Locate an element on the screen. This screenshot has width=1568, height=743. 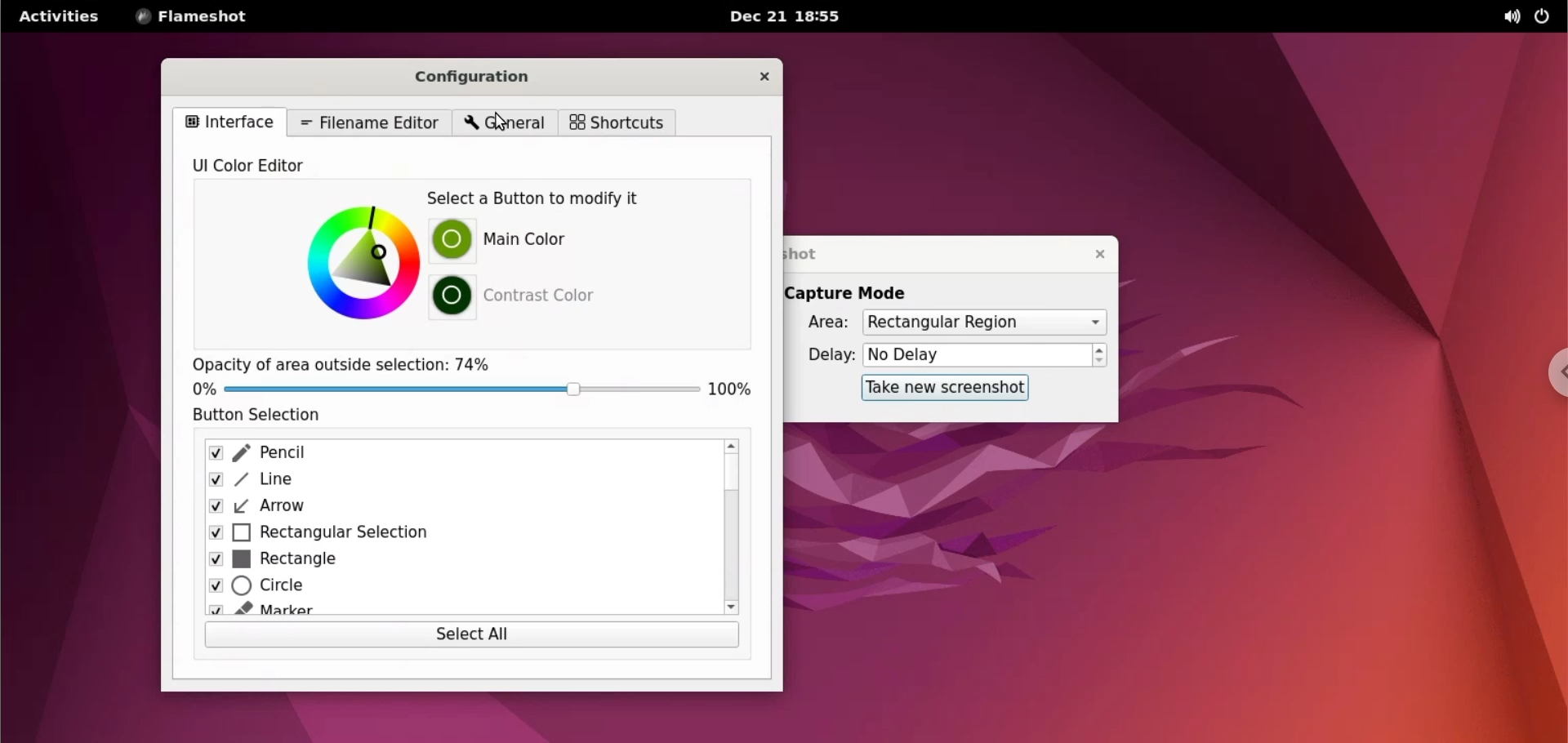
rectangle is located at coordinates (449, 561).